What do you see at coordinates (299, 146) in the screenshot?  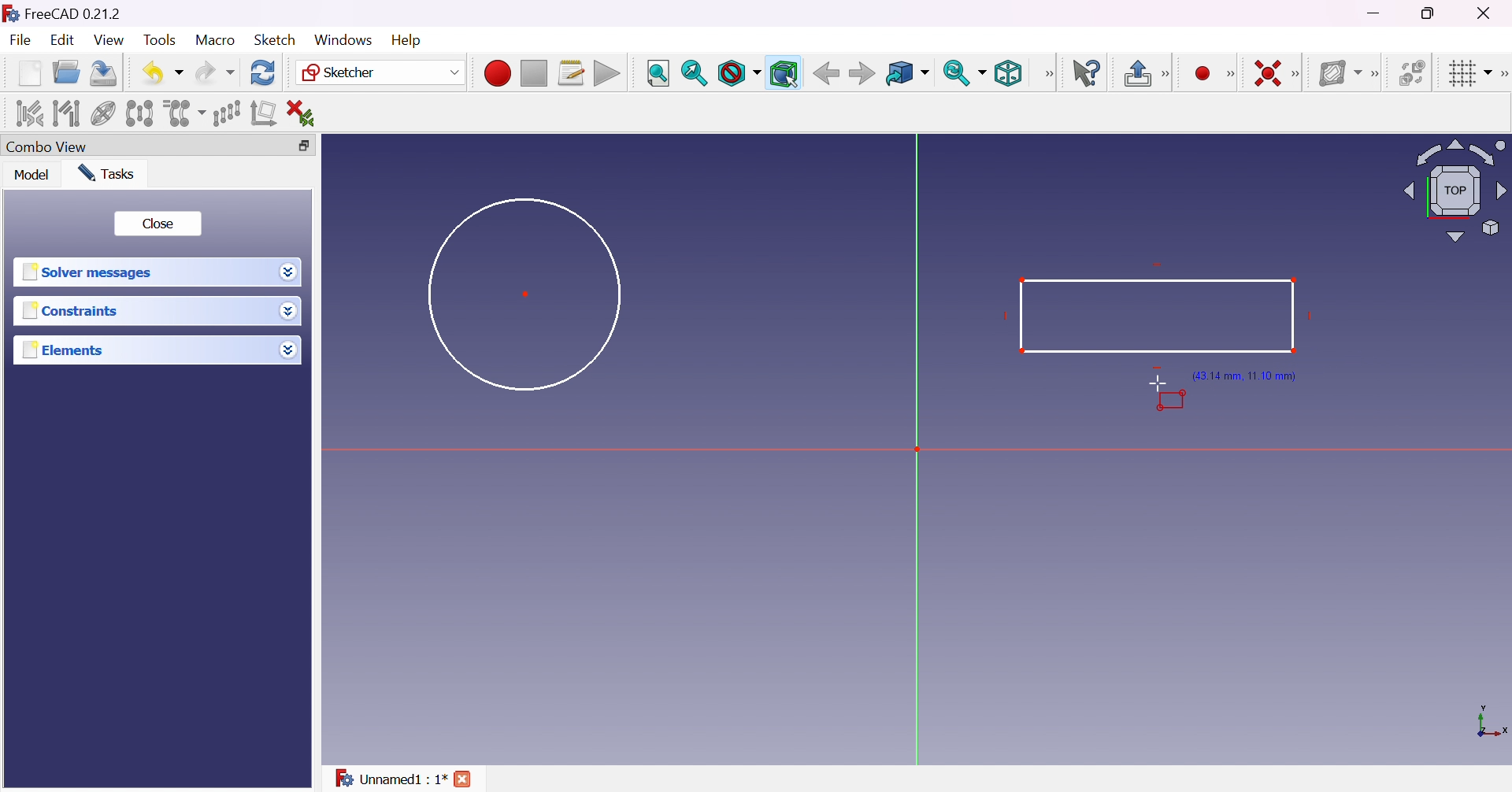 I see `Restore down` at bounding box center [299, 146].